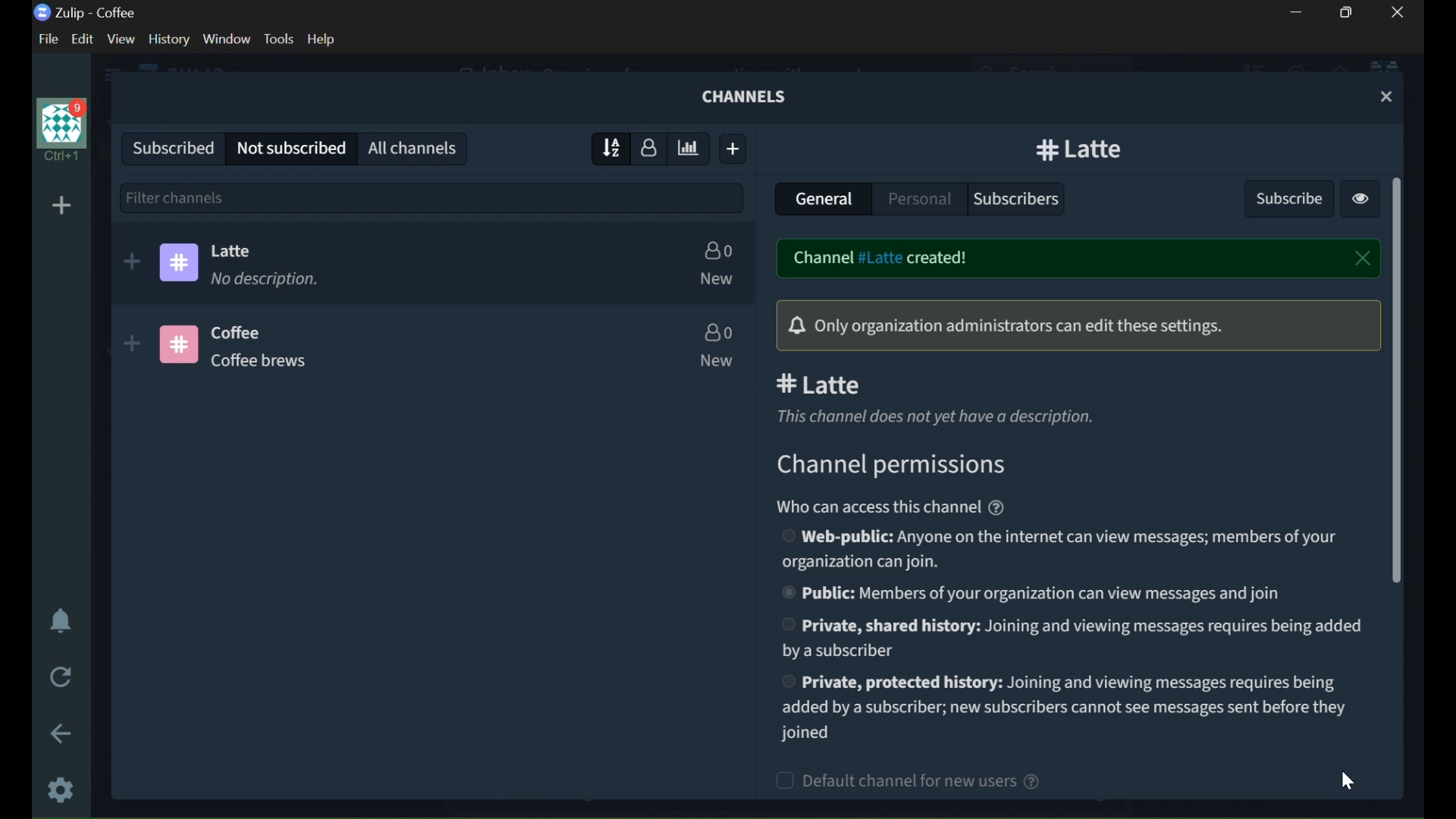 The width and height of the screenshot is (1456, 819). Describe the element at coordinates (1082, 149) in the screenshot. I see `CHANNEL NAME` at that location.